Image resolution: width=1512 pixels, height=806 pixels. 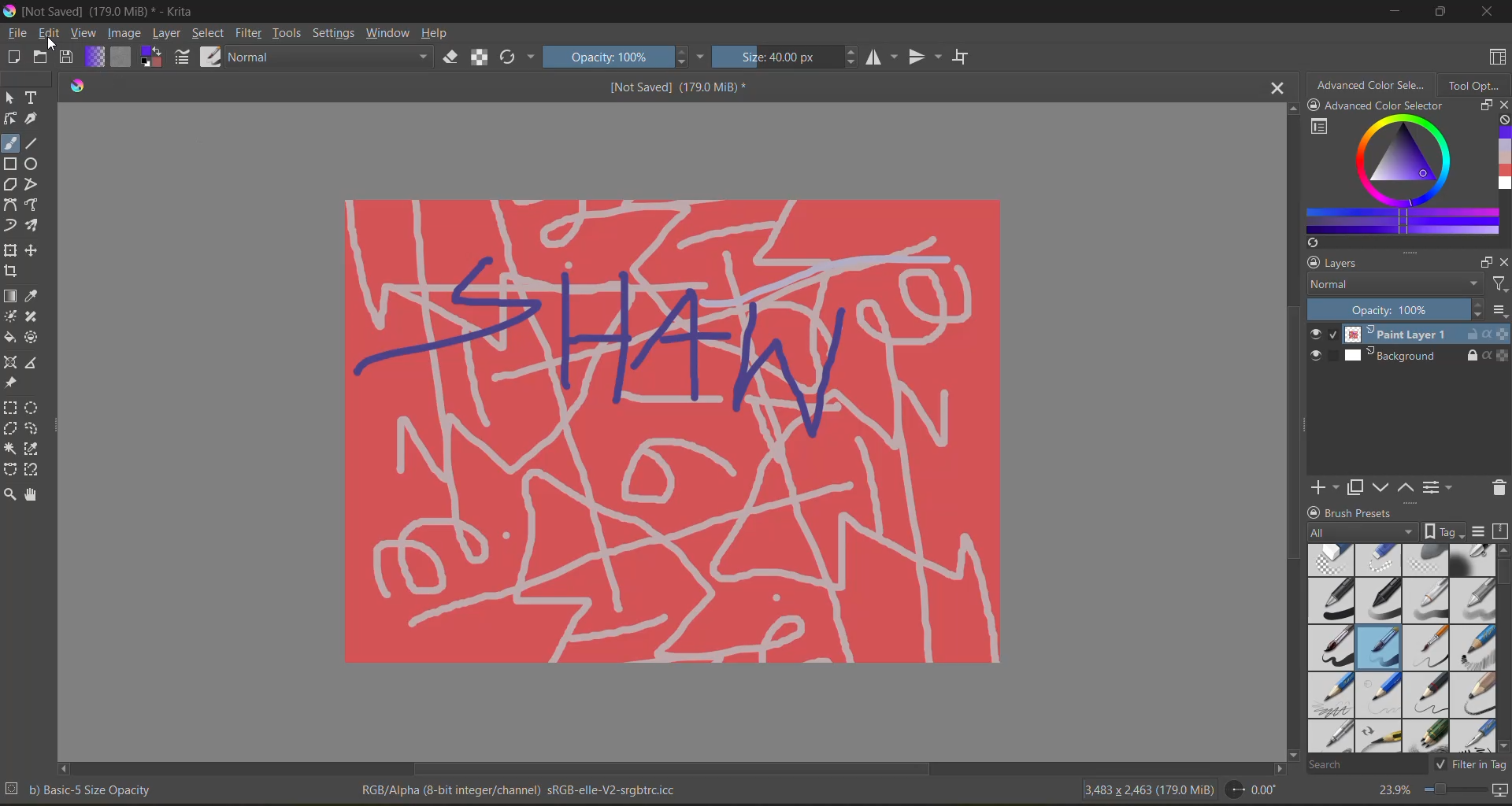 What do you see at coordinates (35, 226) in the screenshot?
I see `multi brush tool` at bounding box center [35, 226].